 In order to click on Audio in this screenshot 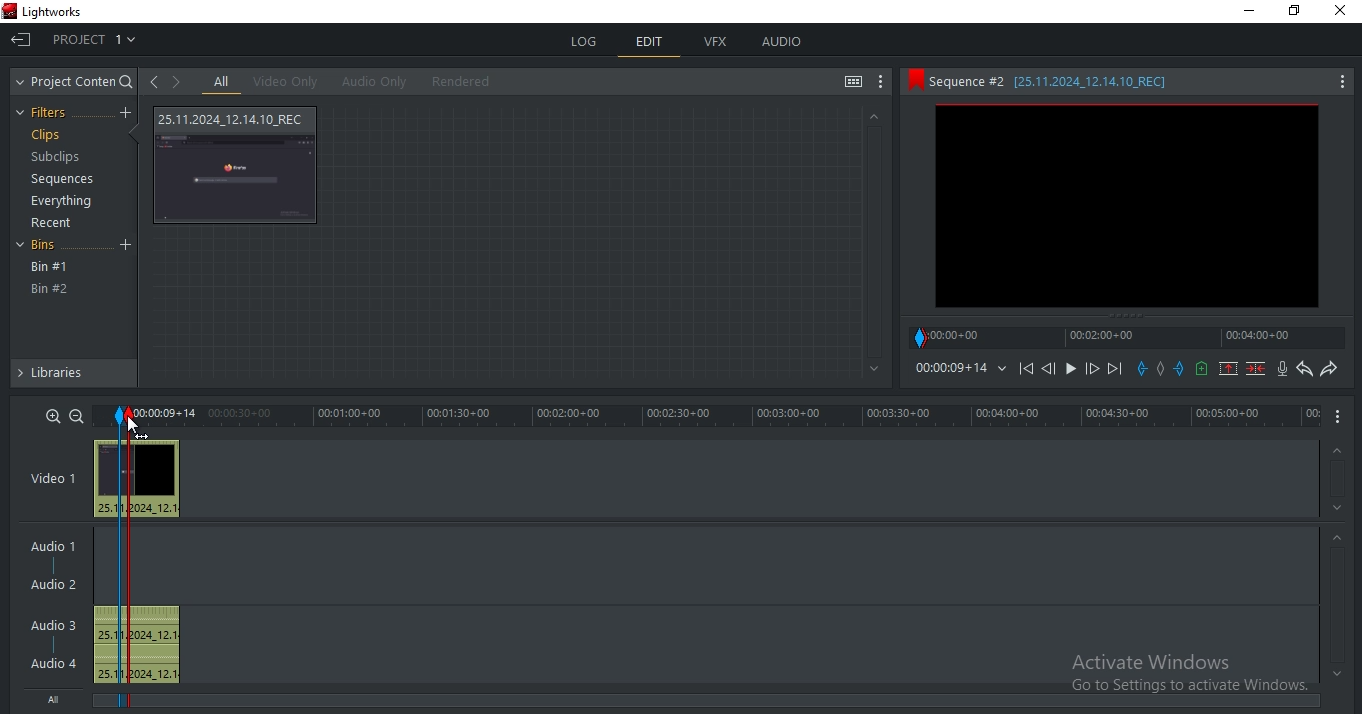, I will do `click(56, 663)`.